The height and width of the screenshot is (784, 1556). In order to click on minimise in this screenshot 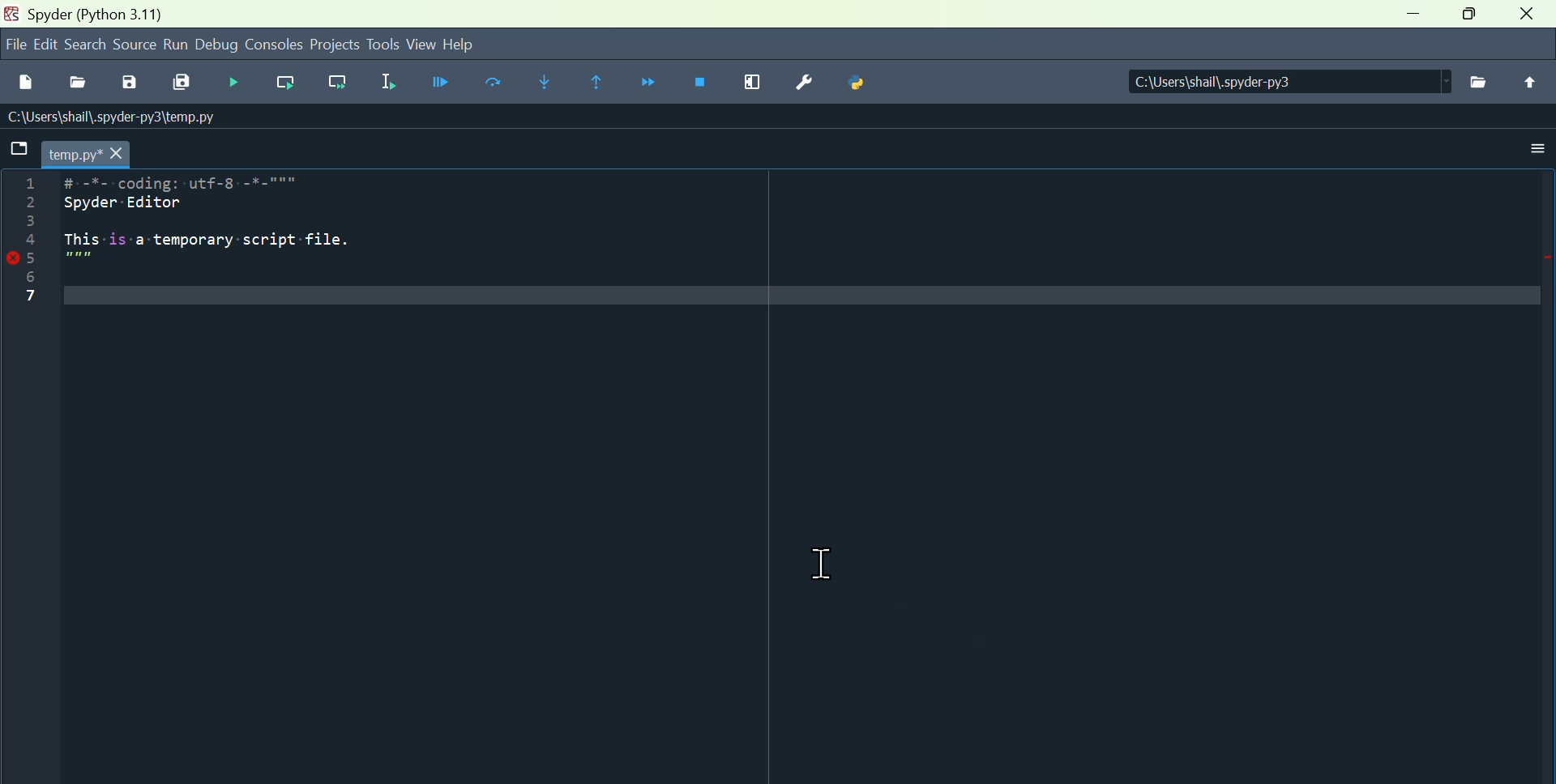, I will do `click(1409, 19)`.